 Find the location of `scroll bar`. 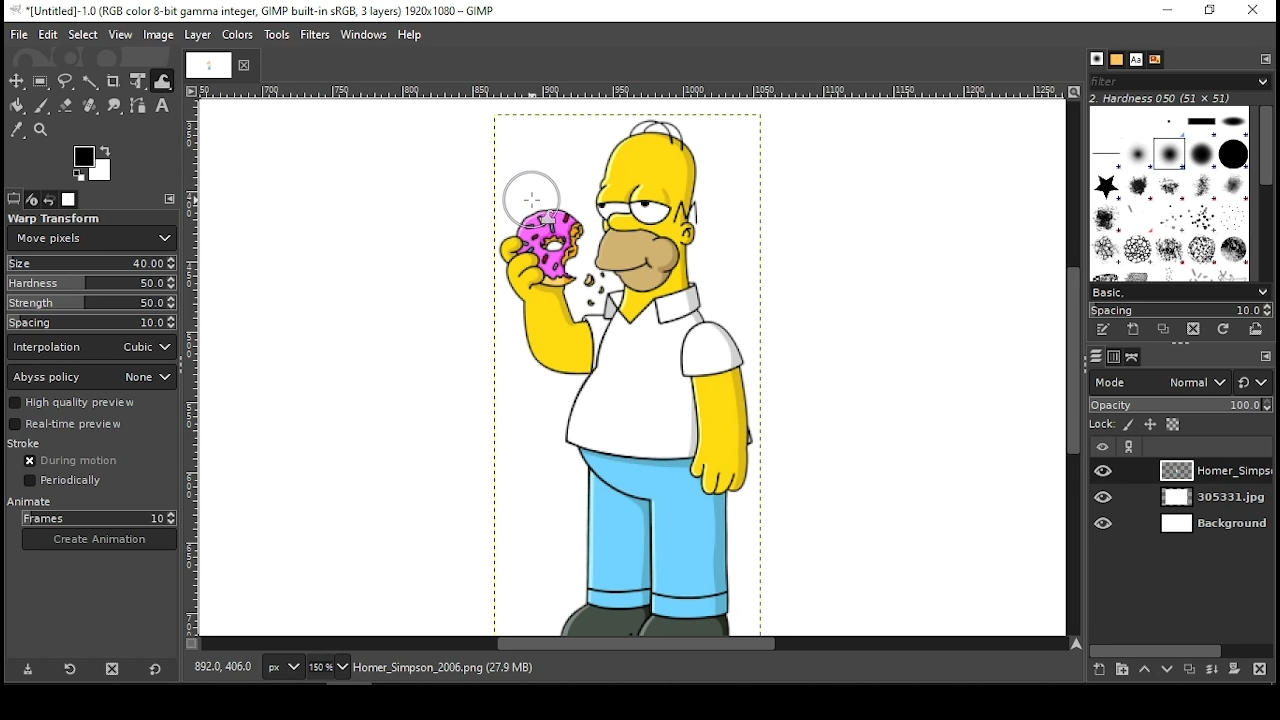

scroll bar is located at coordinates (1076, 369).